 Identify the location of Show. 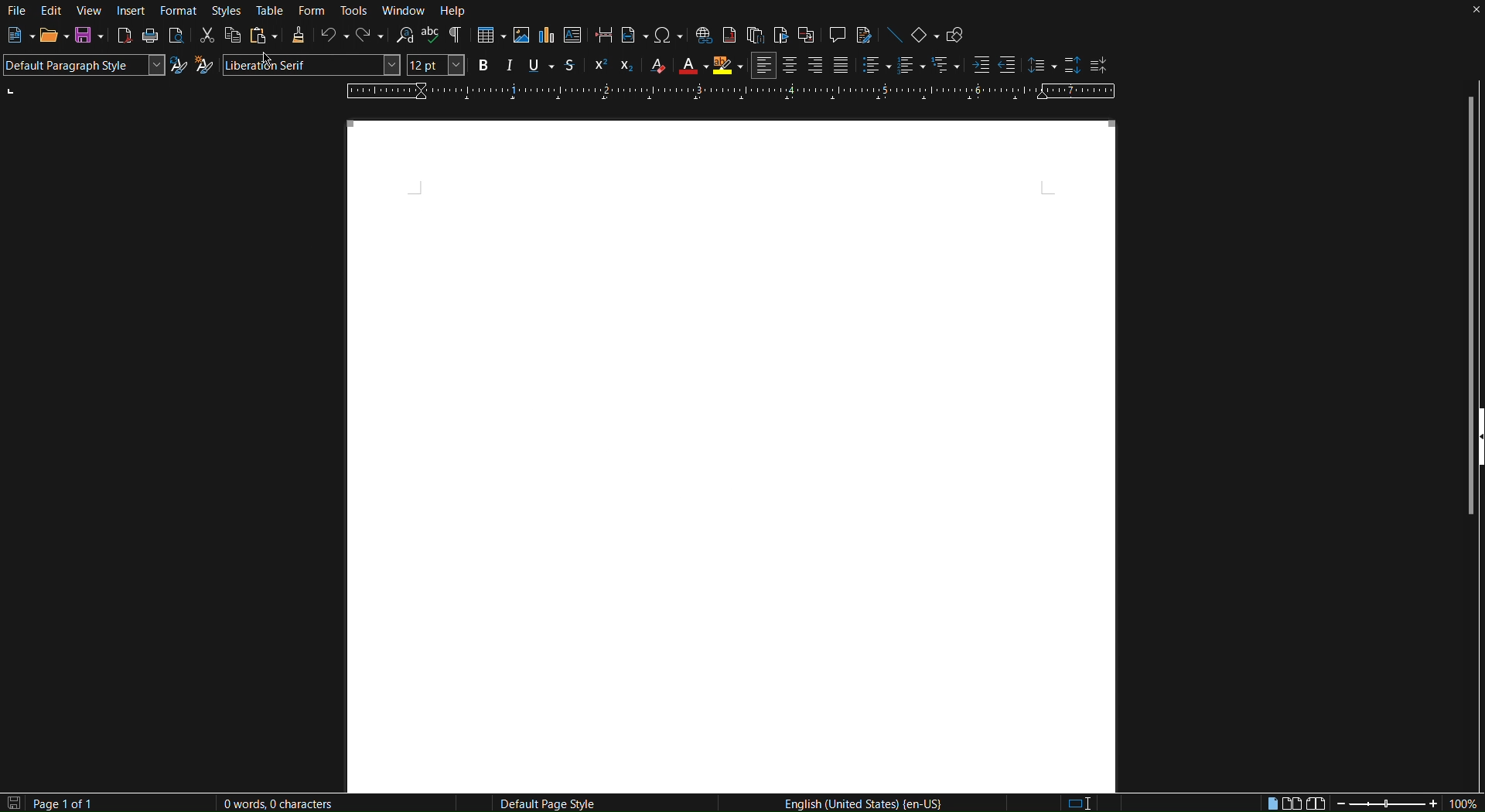
(1475, 464).